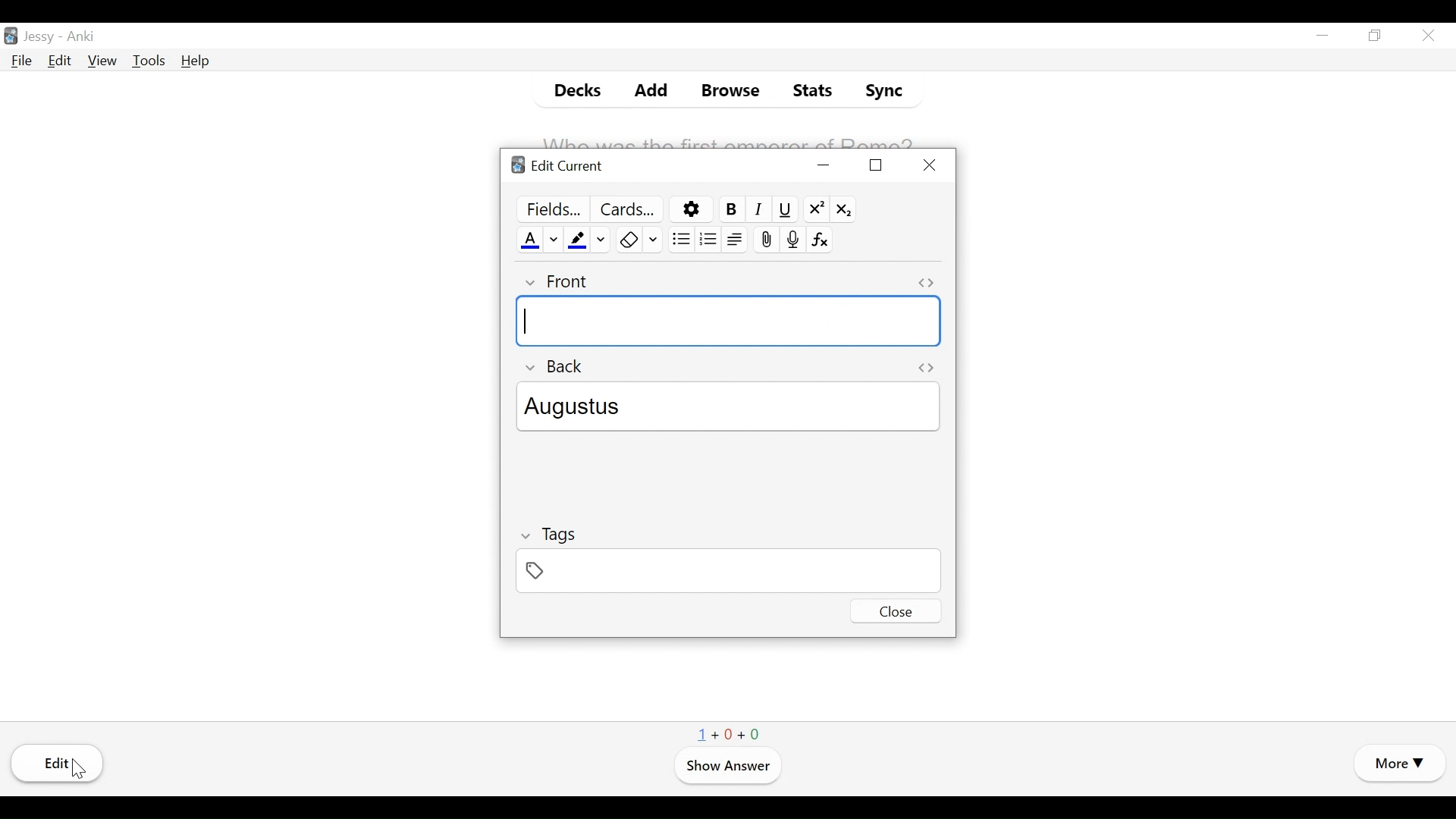  What do you see at coordinates (626, 240) in the screenshot?
I see `Remove Formatting` at bounding box center [626, 240].